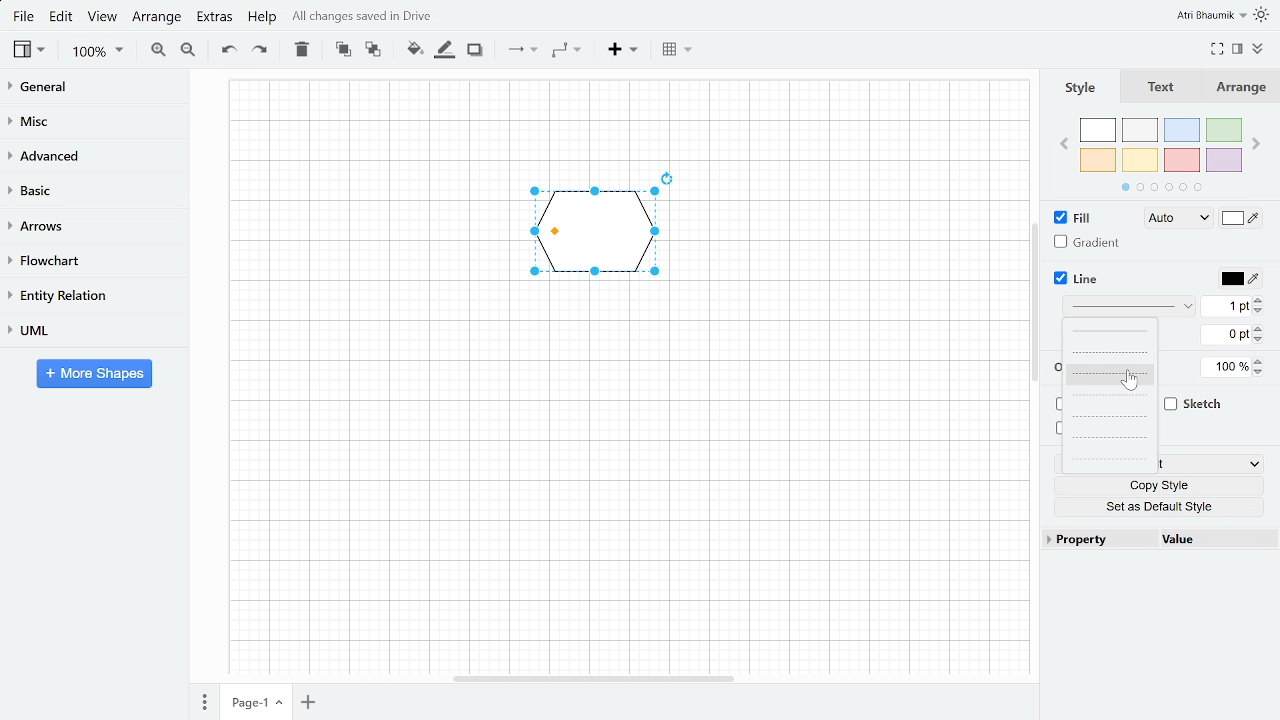 The height and width of the screenshot is (720, 1280). What do you see at coordinates (1261, 312) in the screenshot?
I see `Decrease line width` at bounding box center [1261, 312].